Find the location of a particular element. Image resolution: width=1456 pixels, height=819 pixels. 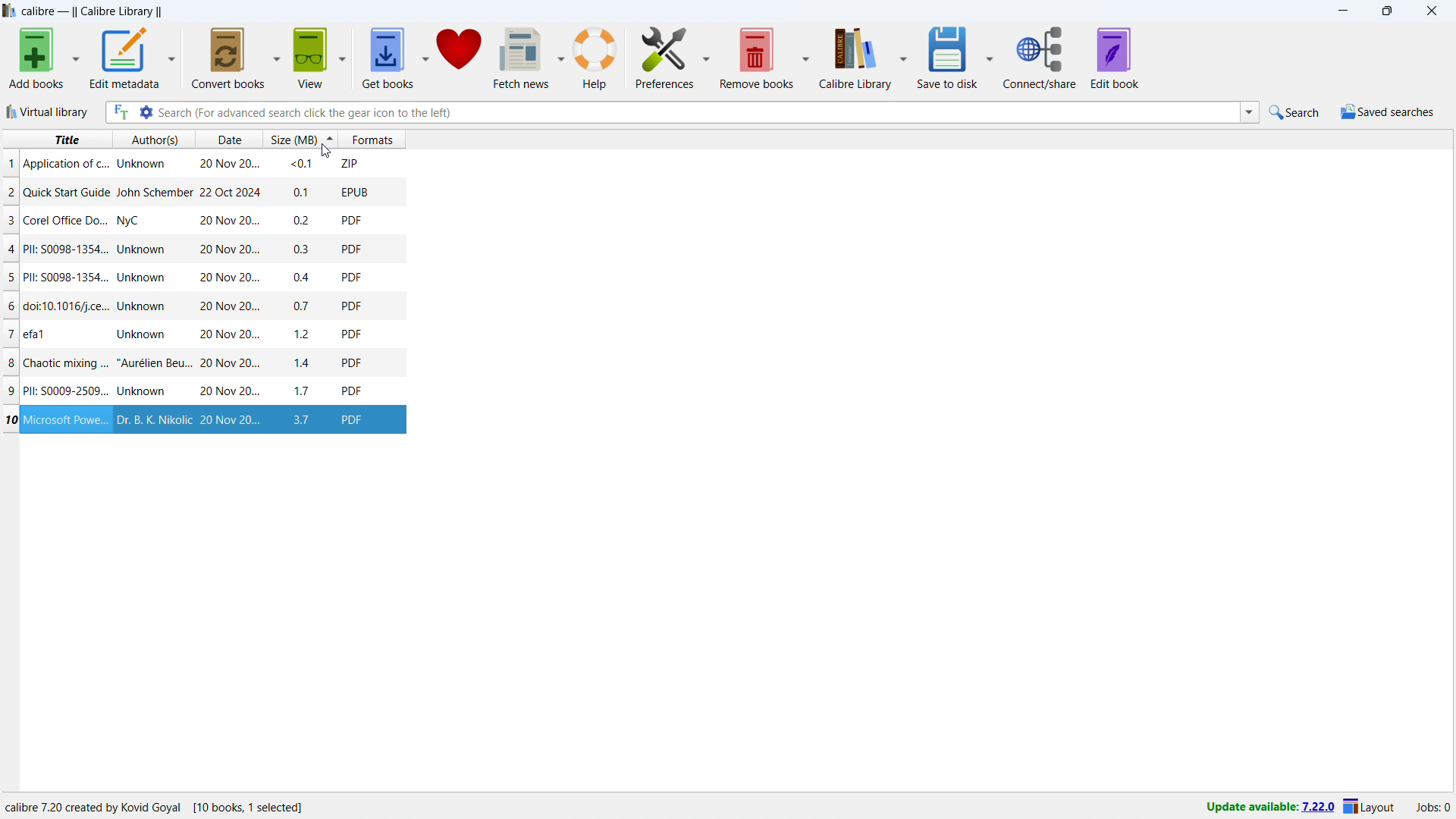

8 is located at coordinates (9, 362).